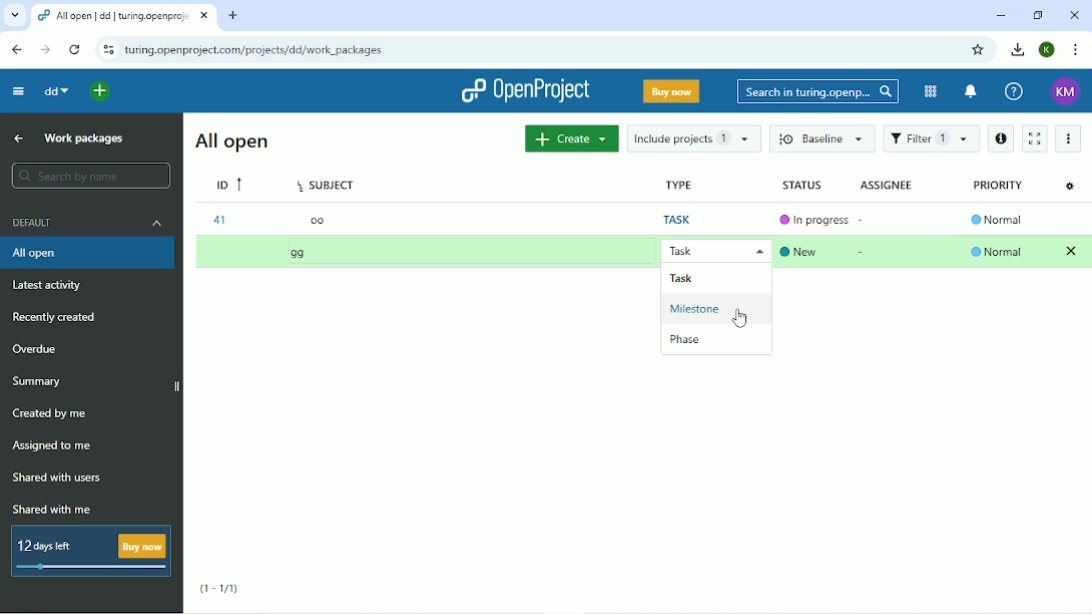 The height and width of the screenshot is (614, 1092). Describe the element at coordinates (682, 185) in the screenshot. I see `Type` at that location.